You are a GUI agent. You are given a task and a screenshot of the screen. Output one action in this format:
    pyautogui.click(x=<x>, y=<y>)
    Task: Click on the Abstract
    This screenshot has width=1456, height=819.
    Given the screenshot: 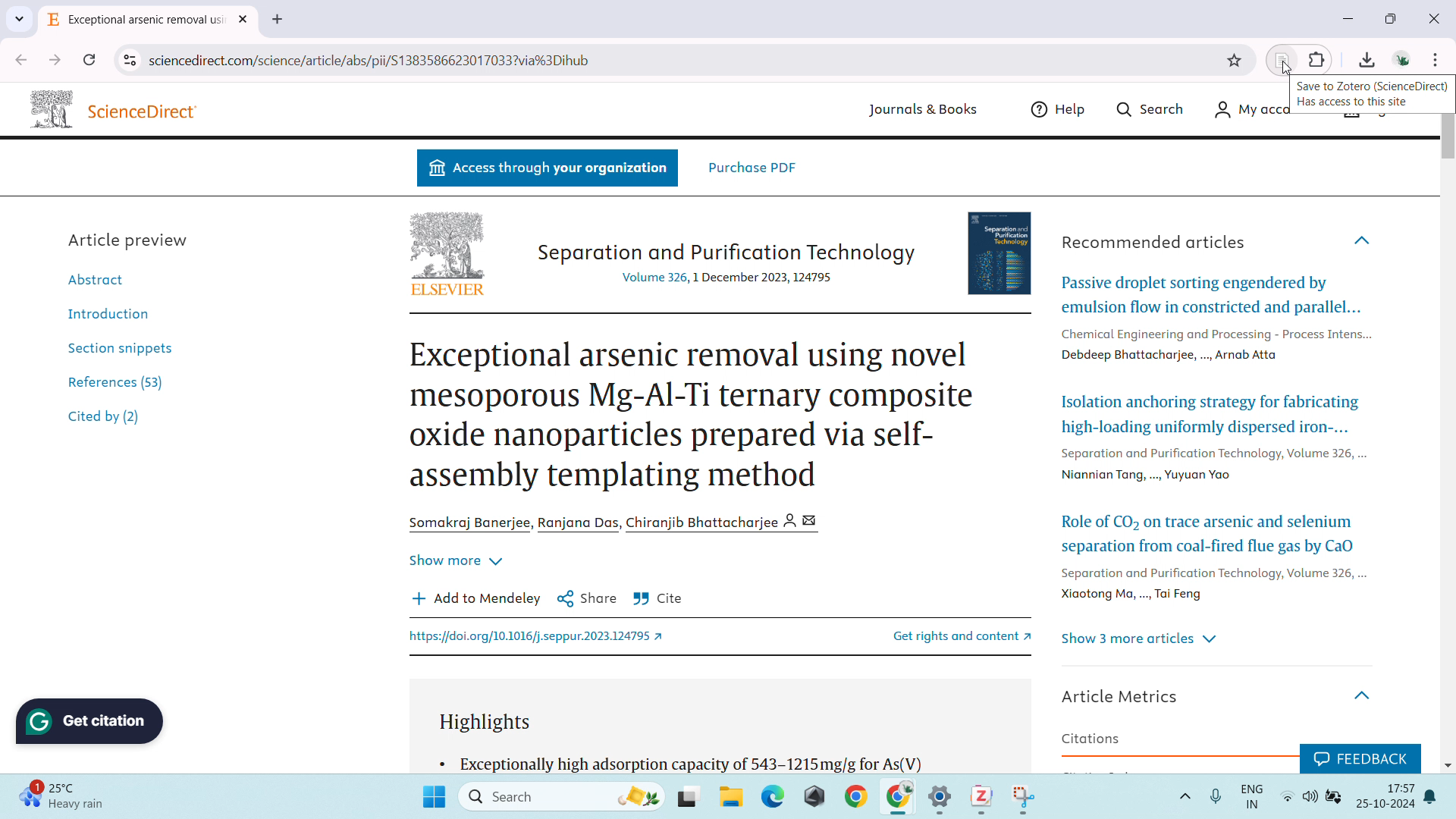 What is the action you would take?
    pyautogui.click(x=103, y=278)
    